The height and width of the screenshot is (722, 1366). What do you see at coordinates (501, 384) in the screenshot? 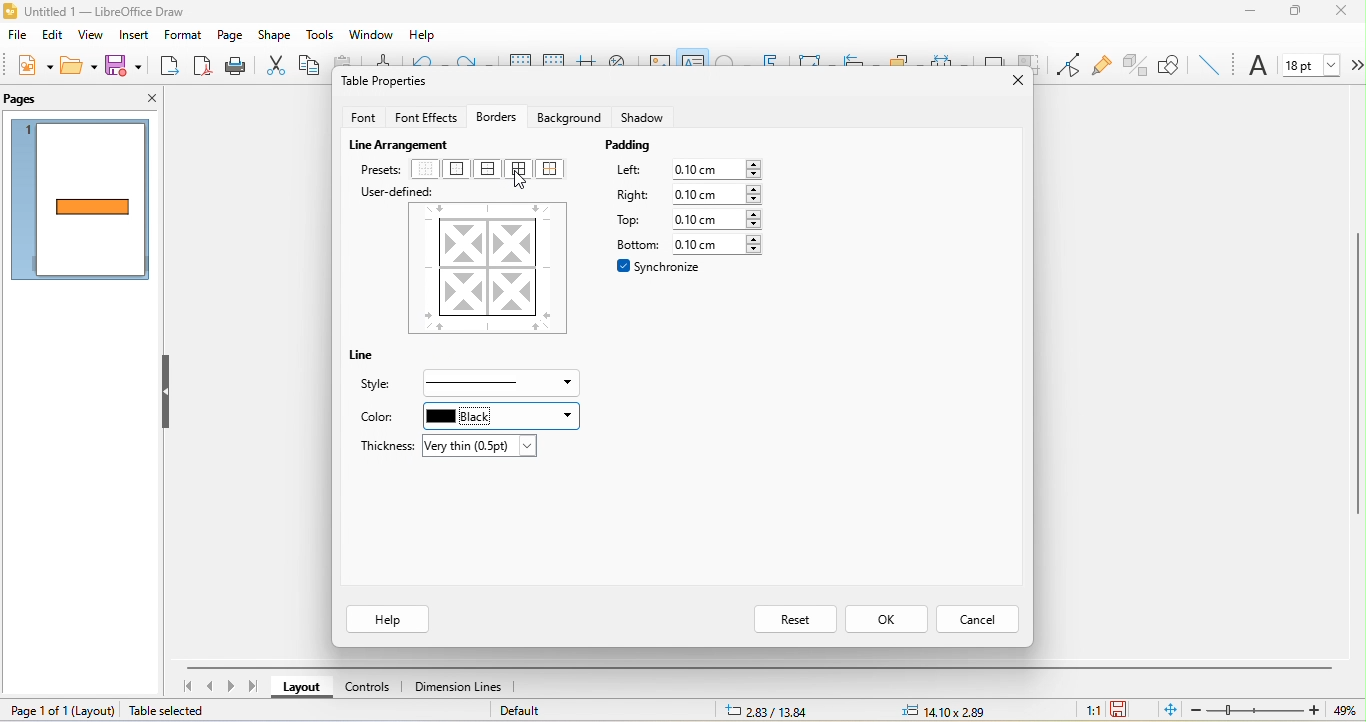
I see `border style` at bounding box center [501, 384].